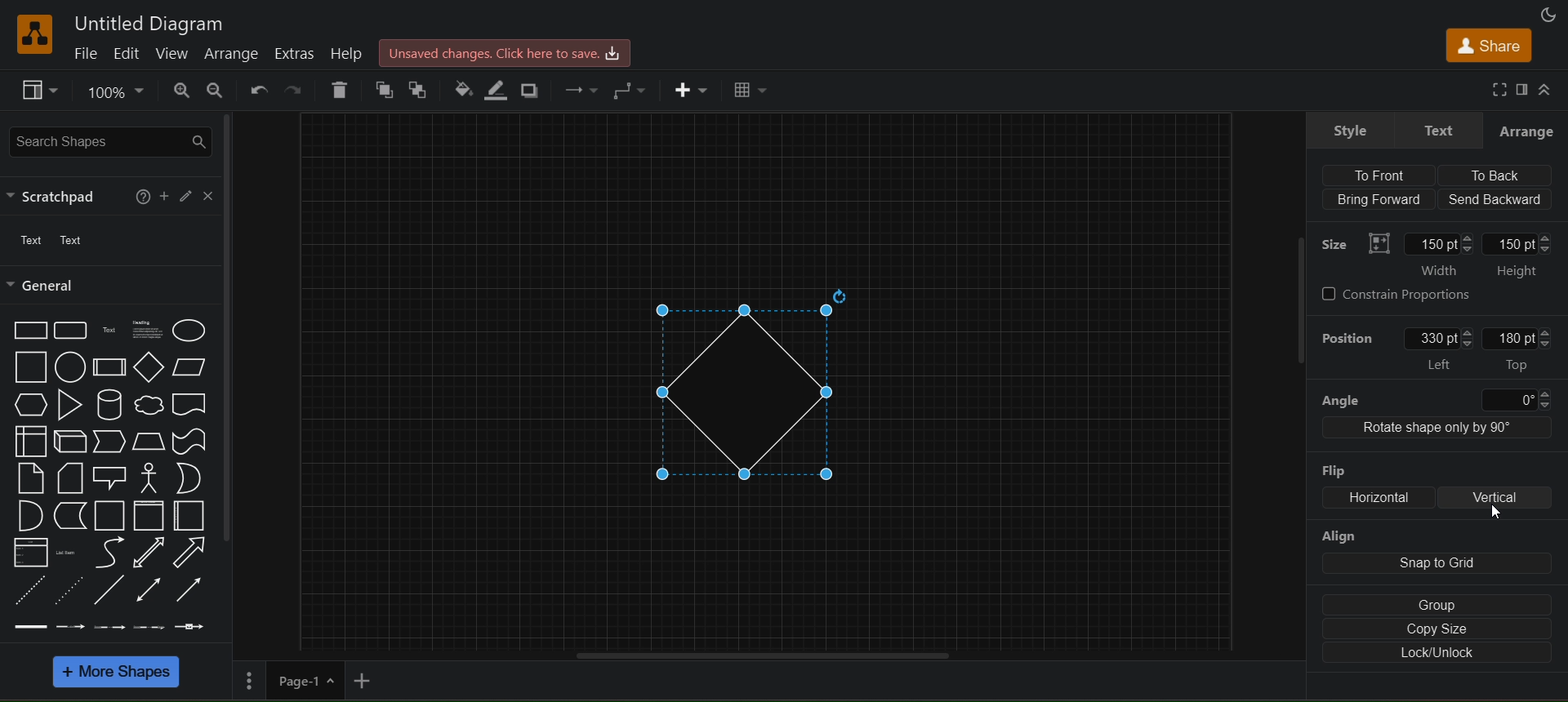 Image resolution: width=1568 pixels, height=702 pixels. I want to click on connection, so click(581, 90).